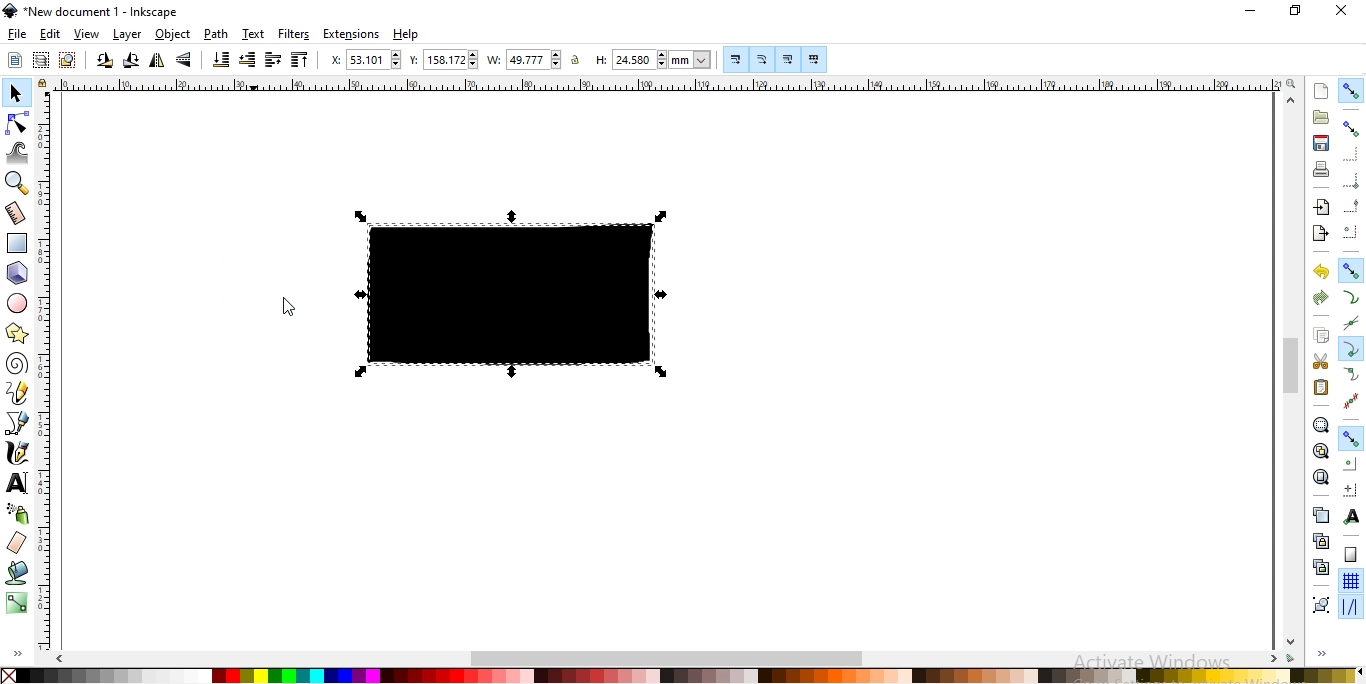  What do you see at coordinates (1353, 607) in the screenshot?
I see `snap guide` at bounding box center [1353, 607].